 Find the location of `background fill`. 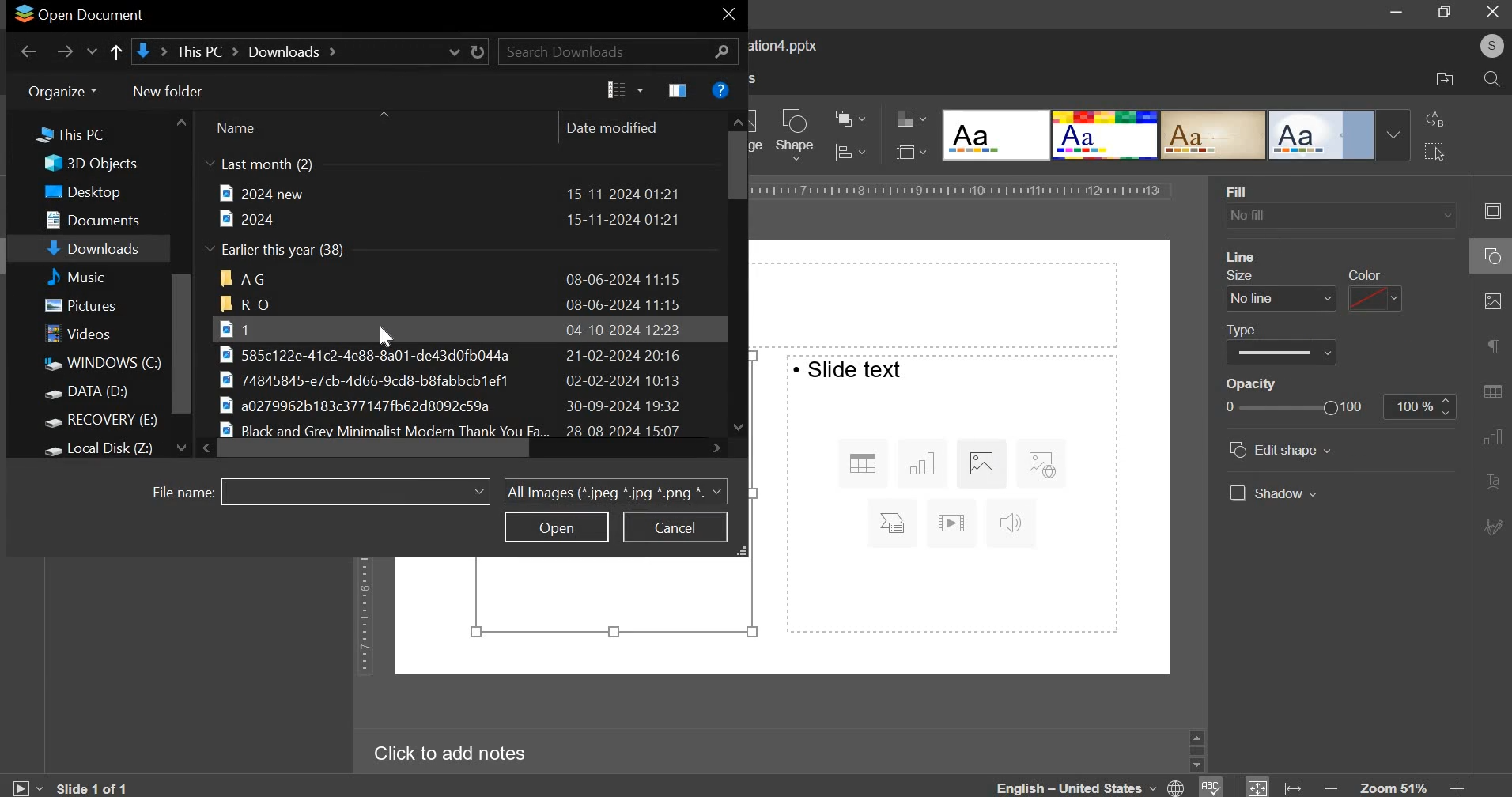

background fill is located at coordinates (1339, 217).